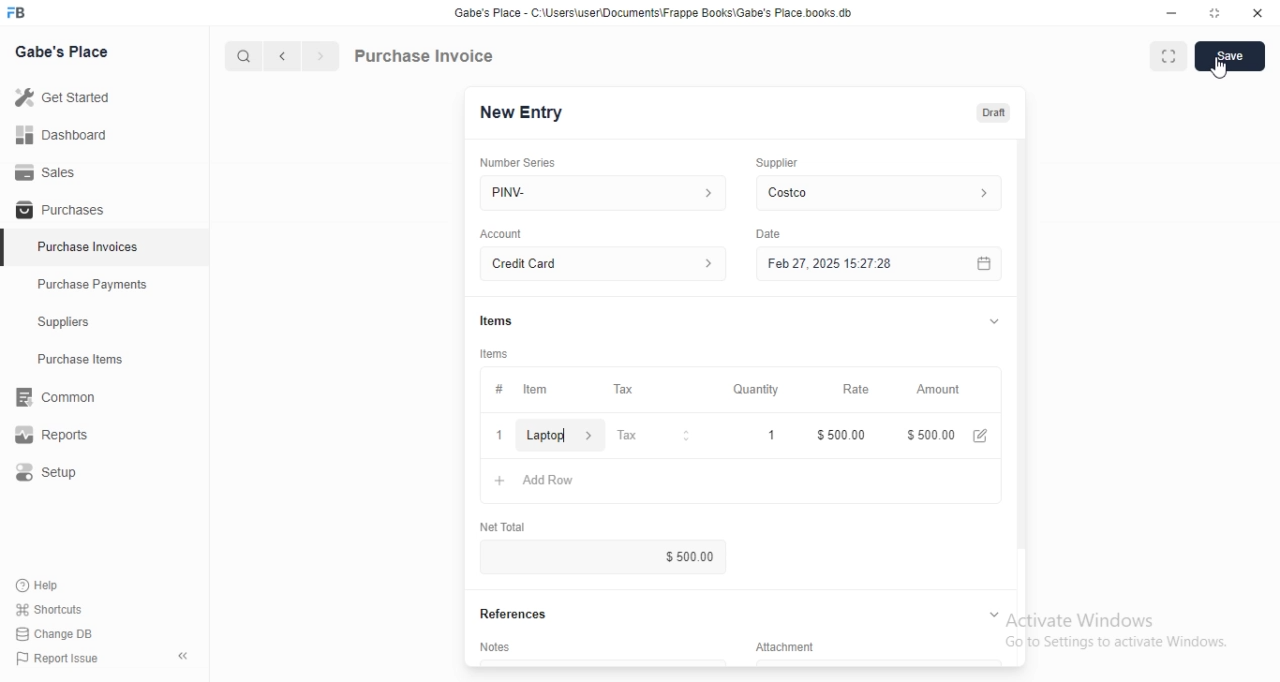 Image resolution: width=1280 pixels, height=682 pixels. Describe the element at coordinates (243, 56) in the screenshot. I see `Search` at that location.